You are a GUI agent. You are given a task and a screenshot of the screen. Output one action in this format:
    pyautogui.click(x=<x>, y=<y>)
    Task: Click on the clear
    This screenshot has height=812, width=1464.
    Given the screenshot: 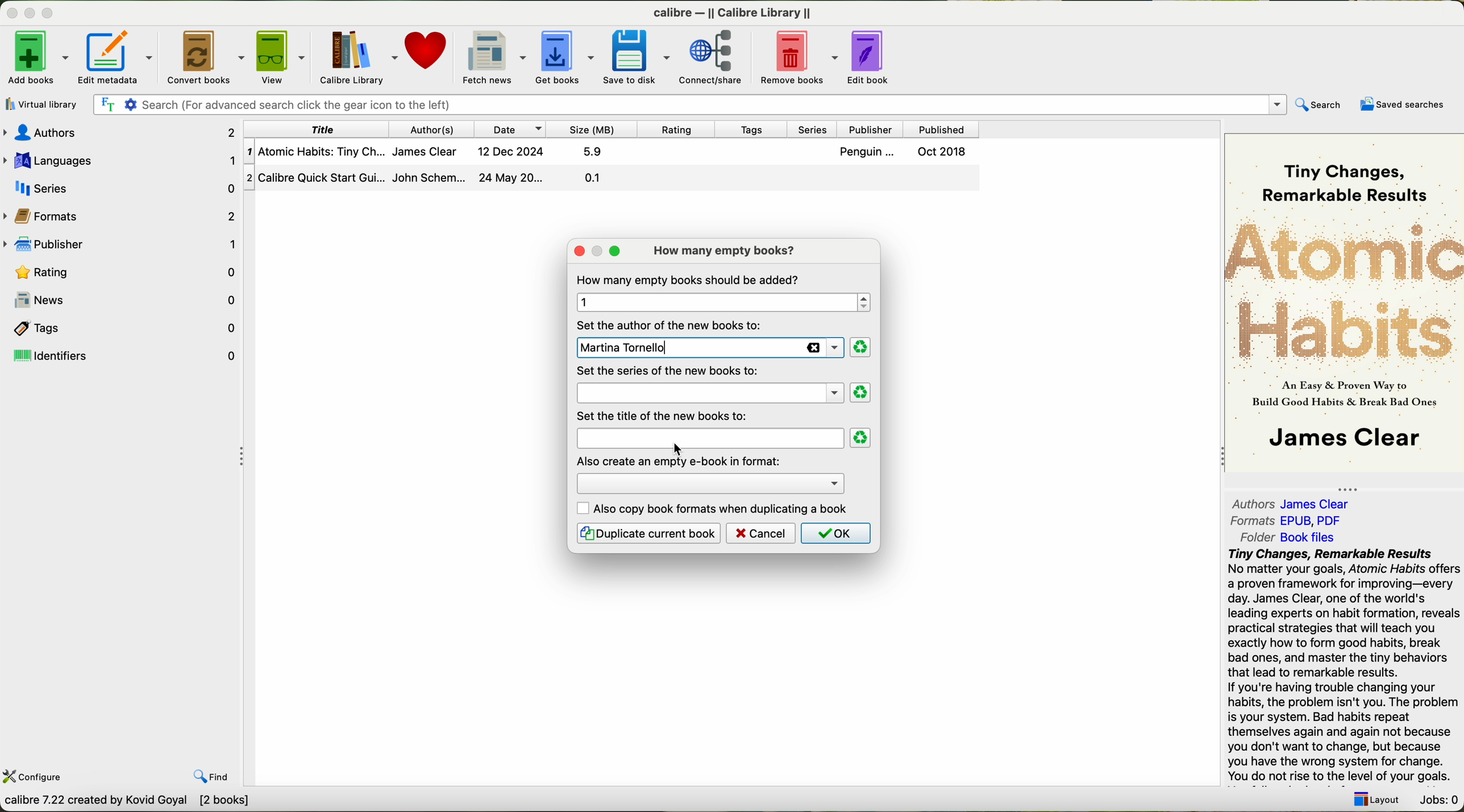 What is the action you would take?
    pyautogui.click(x=860, y=348)
    